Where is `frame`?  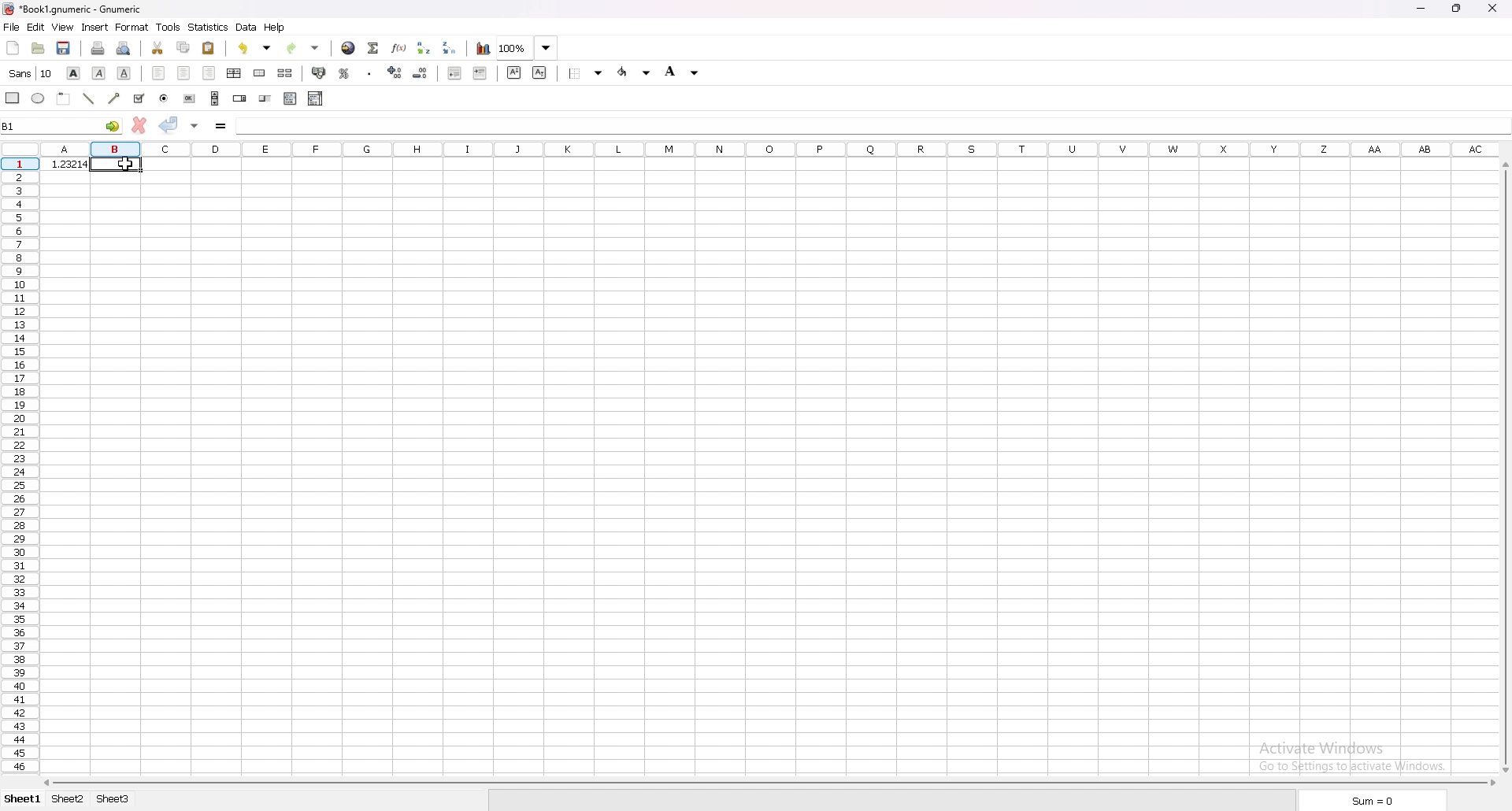 frame is located at coordinates (64, 97).